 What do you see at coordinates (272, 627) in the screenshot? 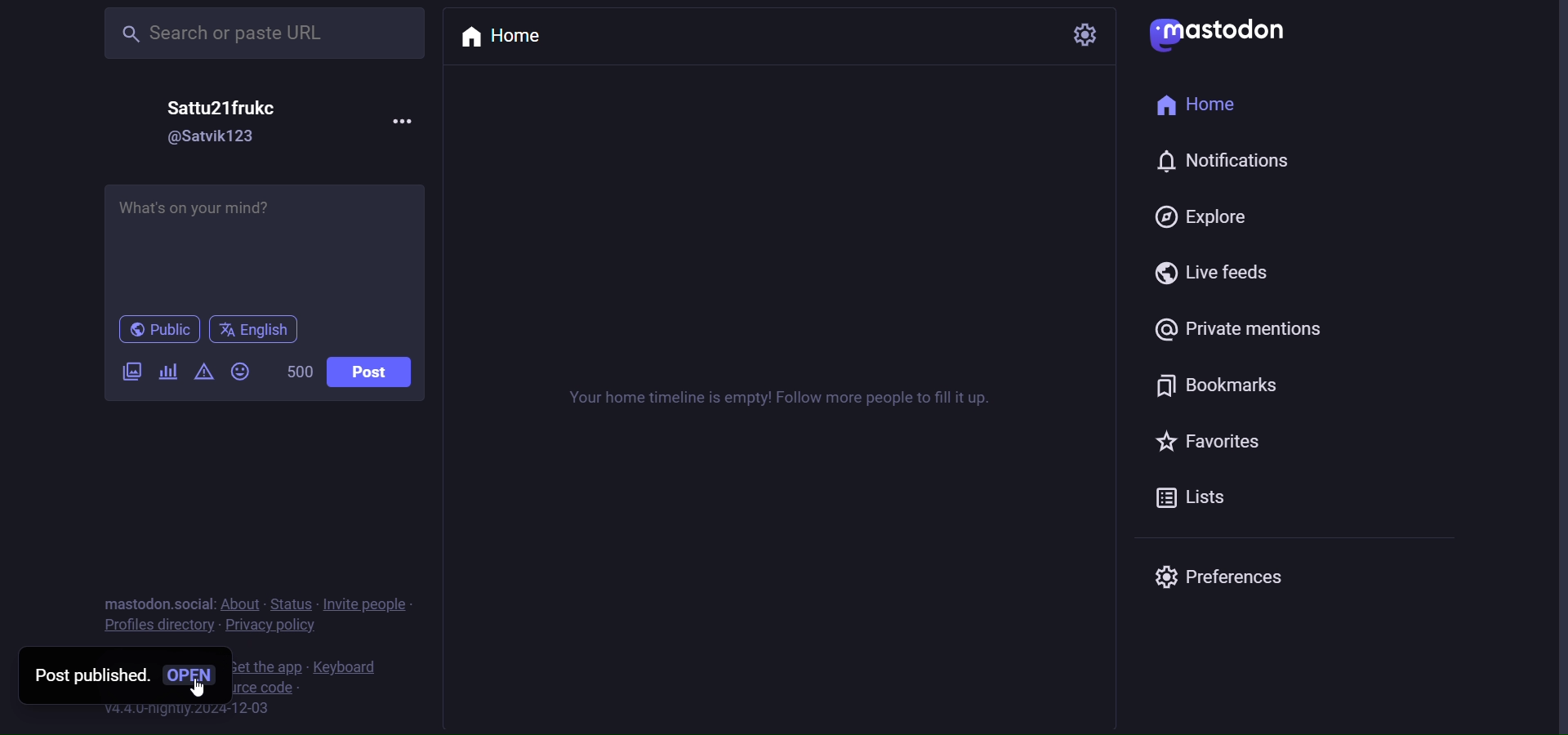
I see `privacy policy` at bounding box center [272, 627].